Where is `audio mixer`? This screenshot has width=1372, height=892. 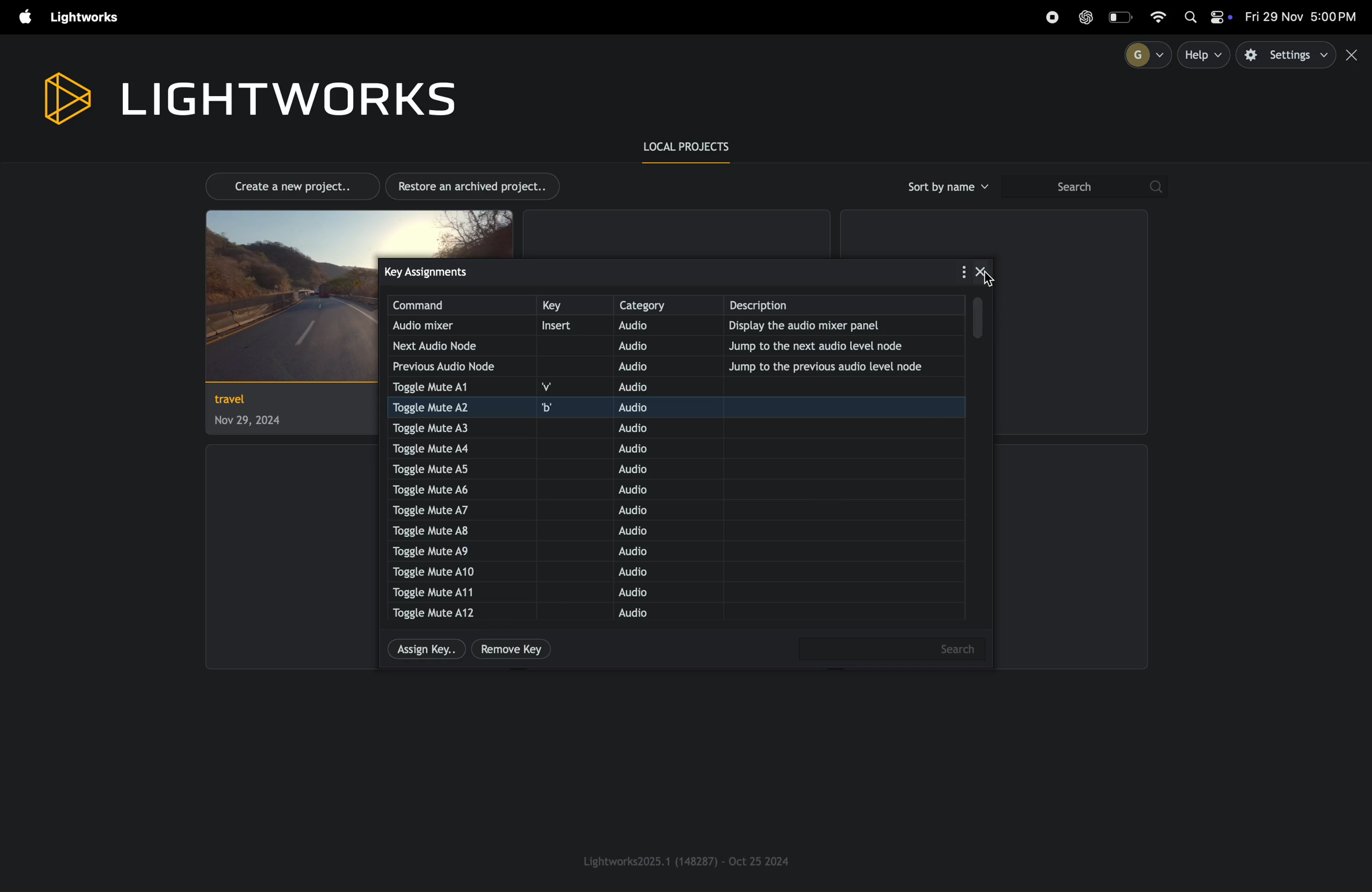 audio mixer is located at coordinates (447, 326).